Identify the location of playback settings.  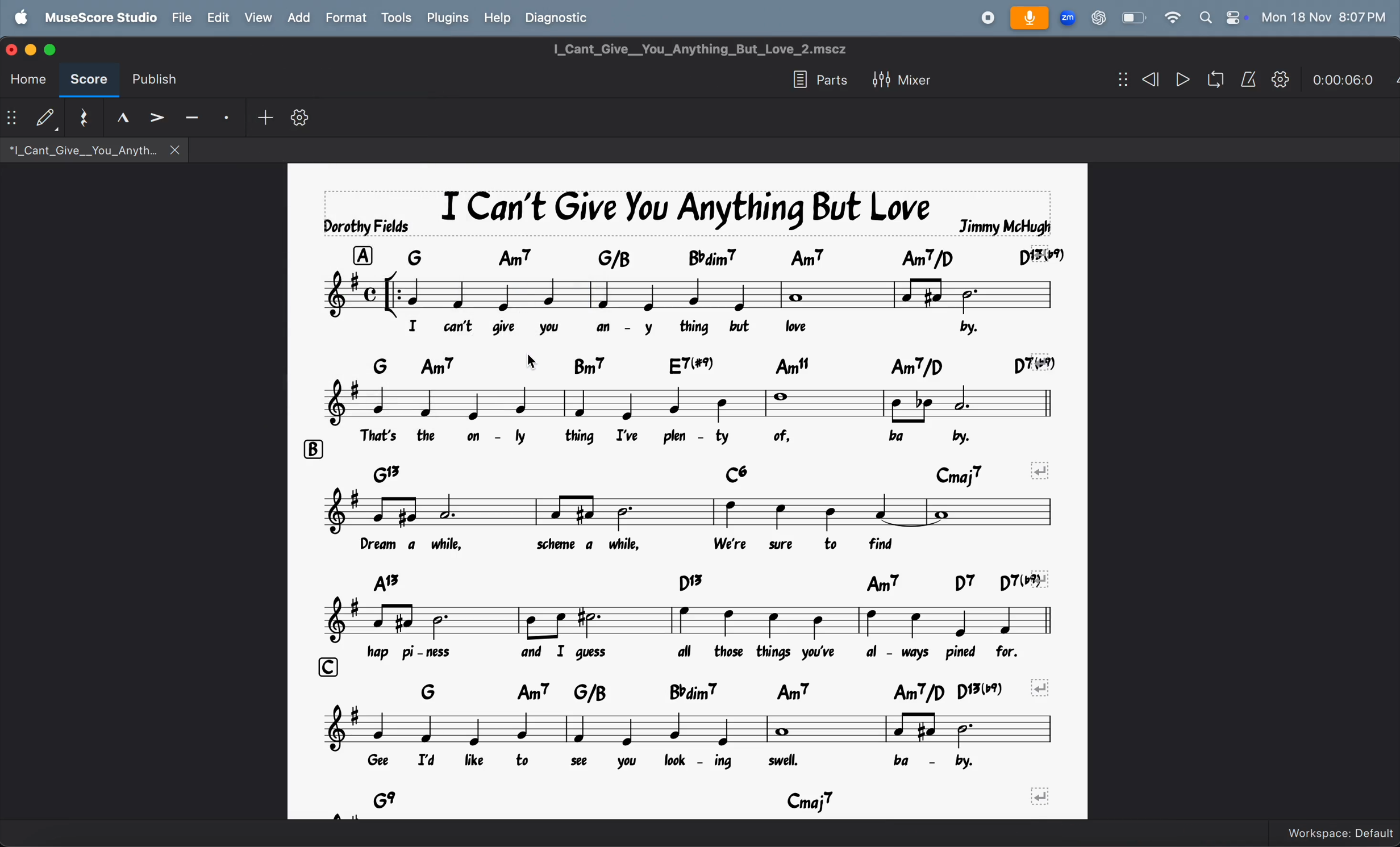
(1283, 82).